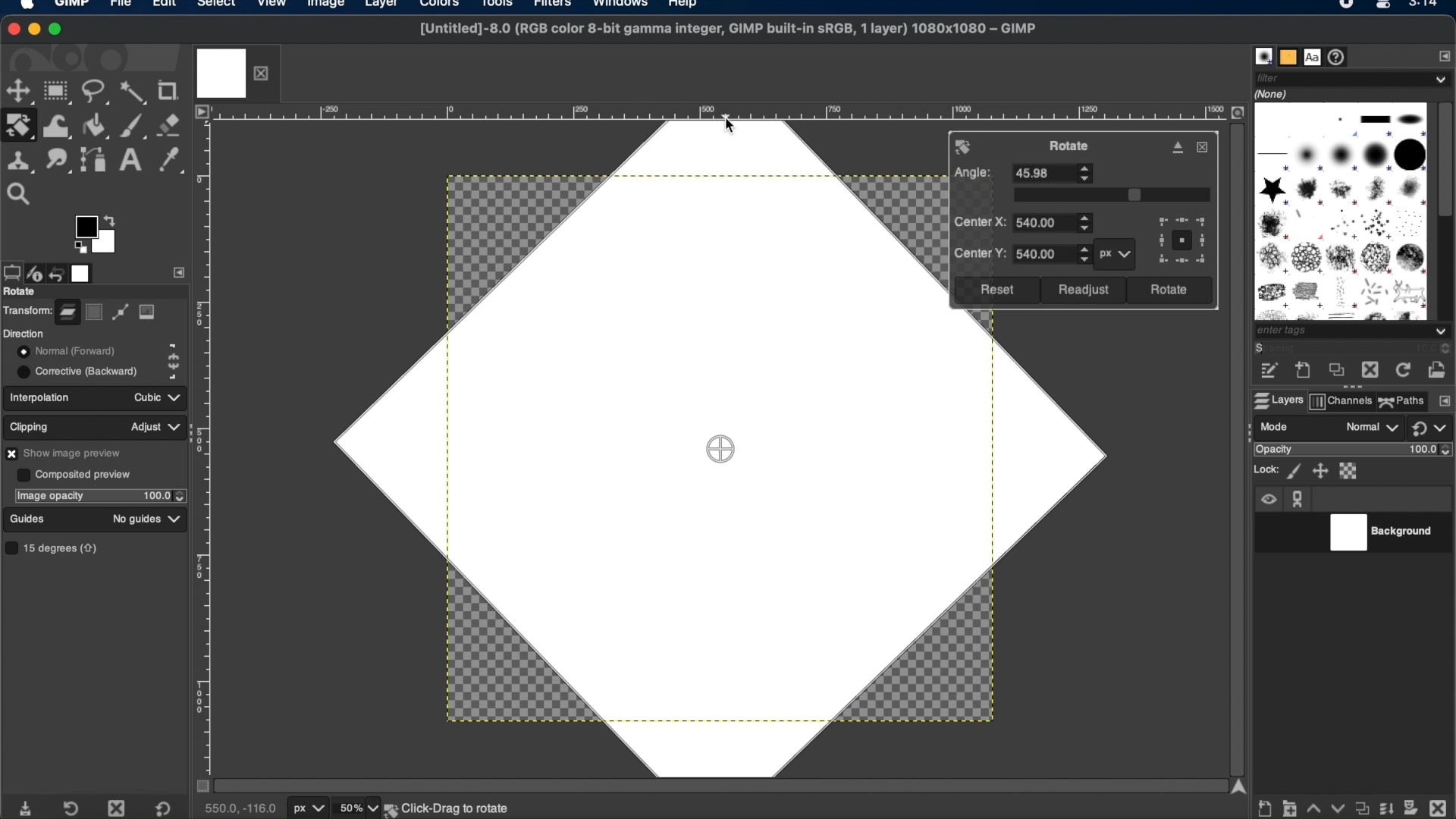  I want to click on anchor icon, so click(1299, 499).